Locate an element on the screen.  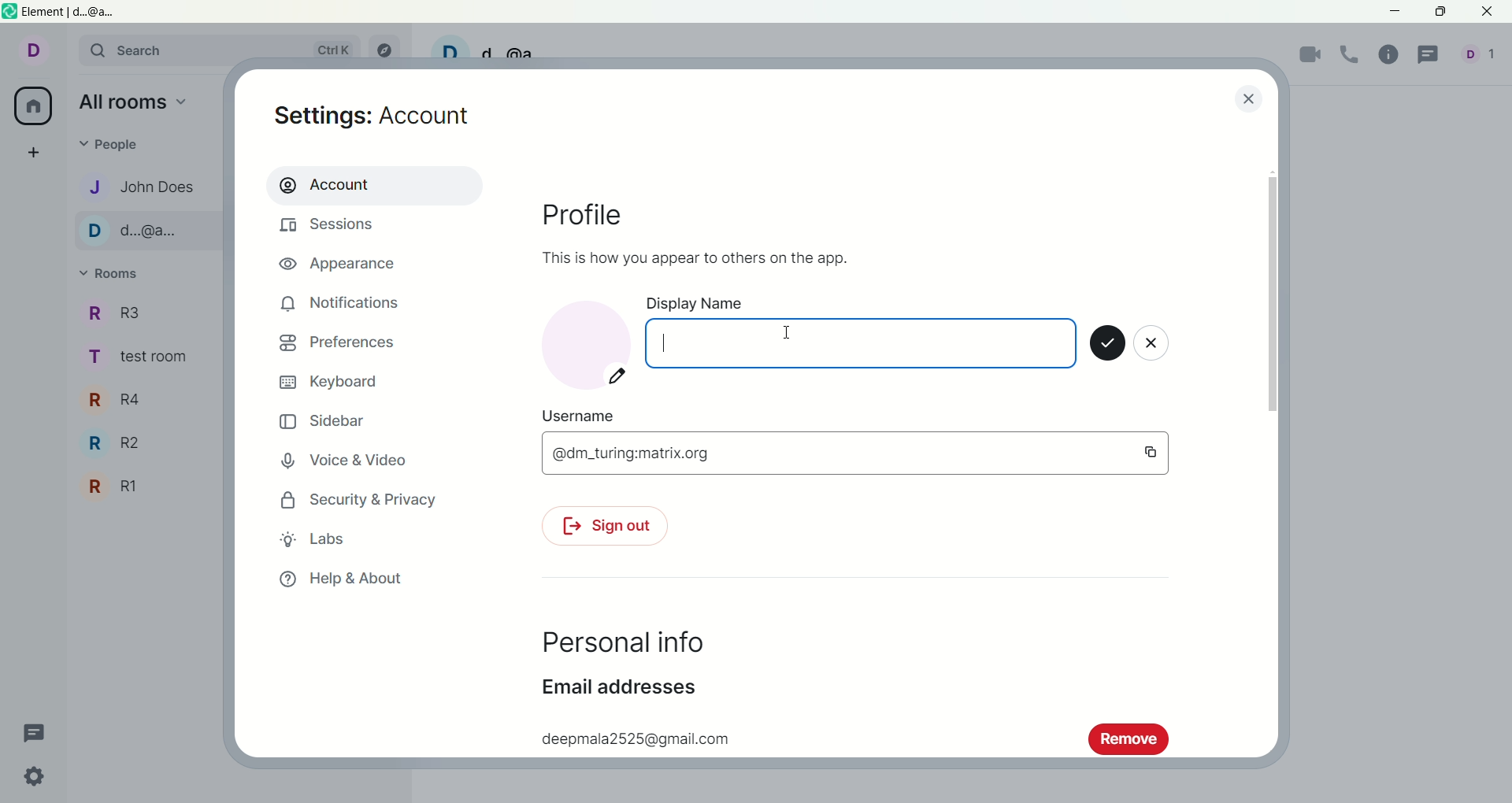
close is located at coordinates (1489, 13).